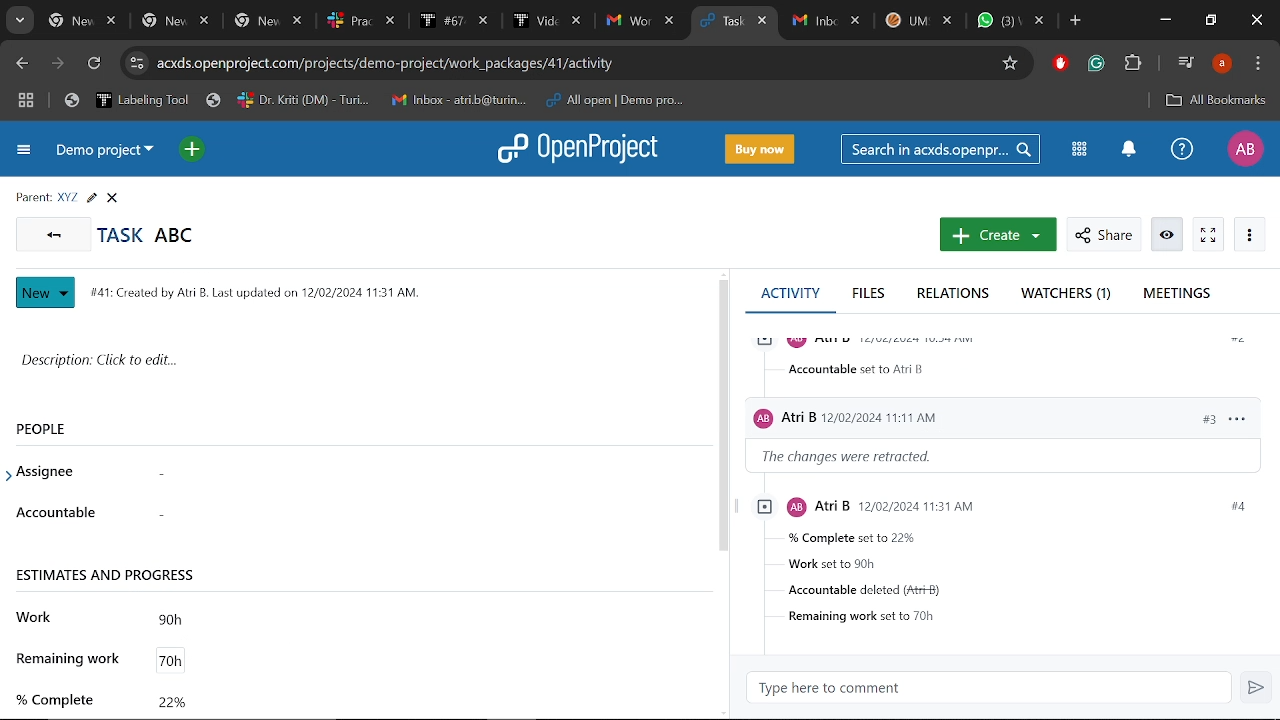  I want to click on People, so click(63, 428).